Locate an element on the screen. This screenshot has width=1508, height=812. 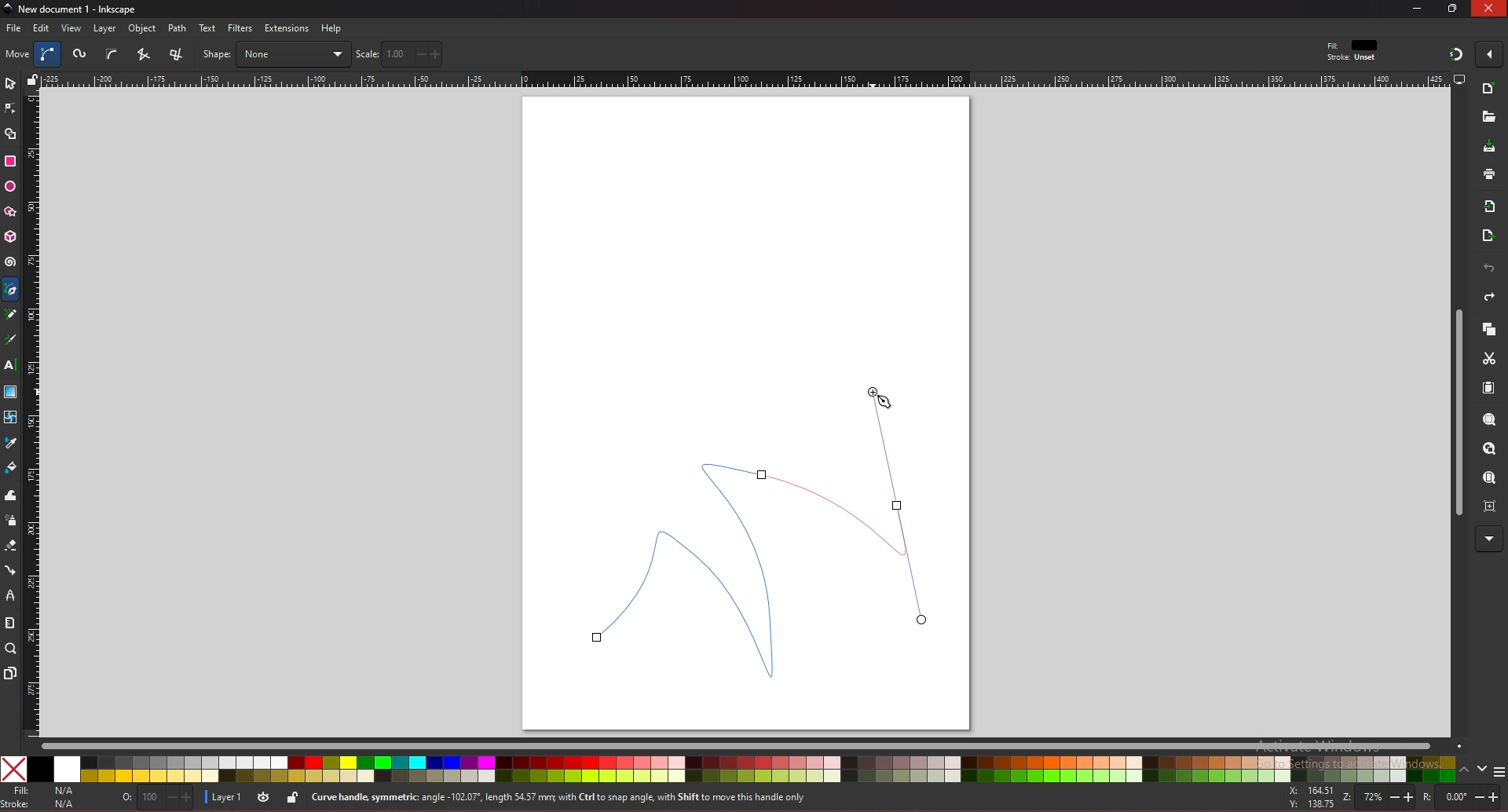
lpe is located at coordinates (11, 594).